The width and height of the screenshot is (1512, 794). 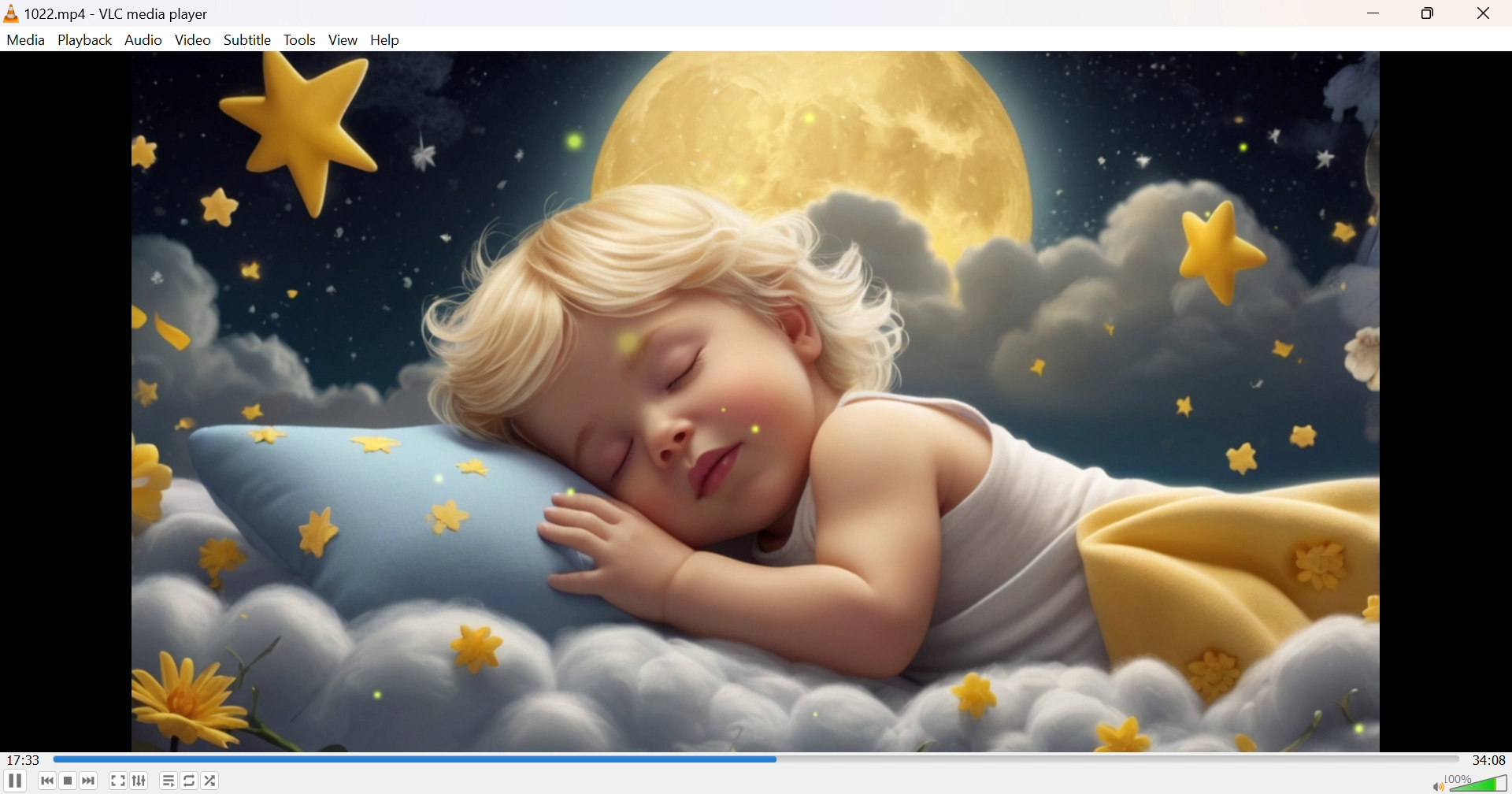 What do you see at coordinates (69, 781) in the screenshot?
I see `Stop playback` at bounding box center [69, 781].